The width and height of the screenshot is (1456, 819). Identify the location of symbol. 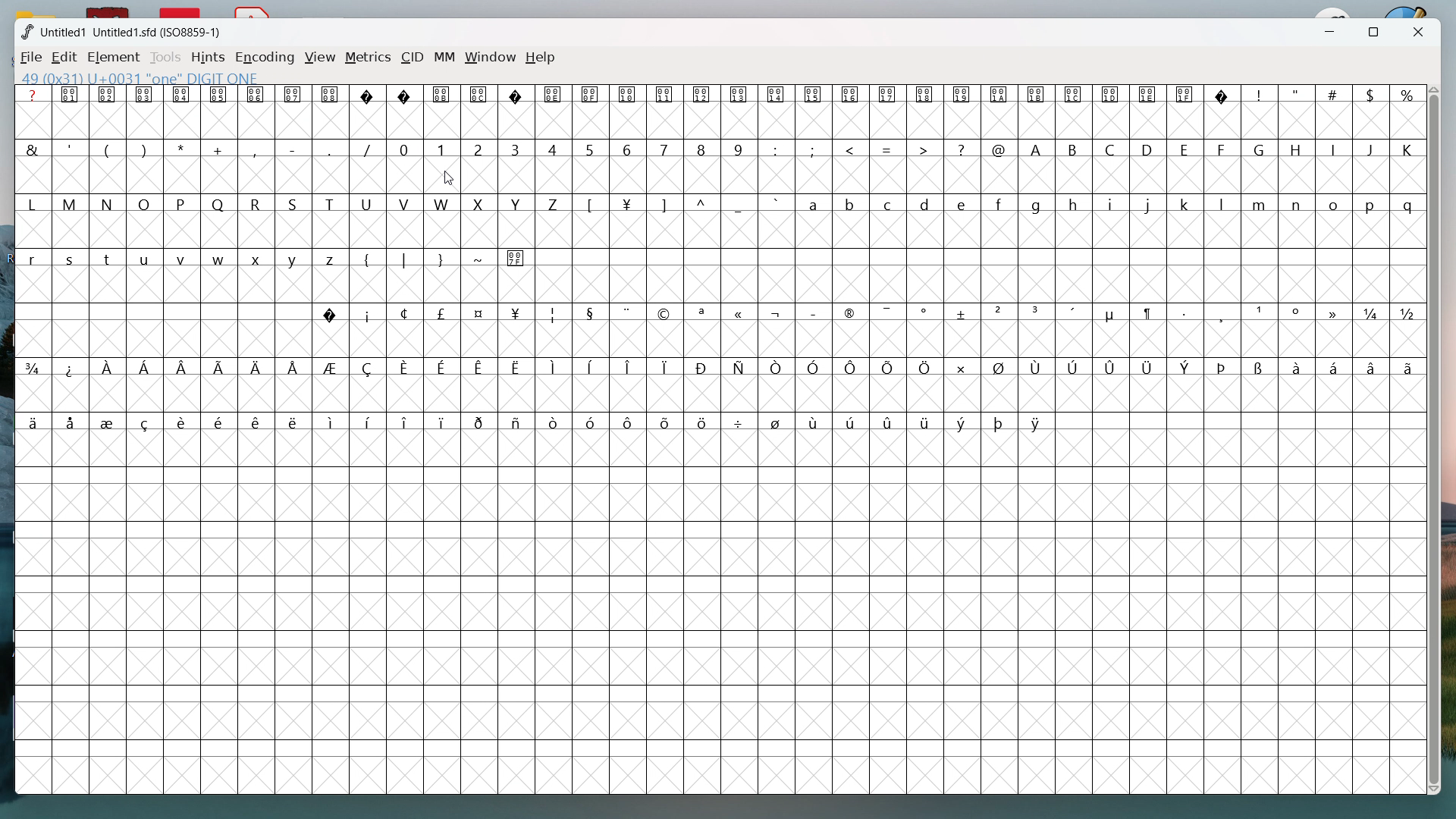
(814, 312).